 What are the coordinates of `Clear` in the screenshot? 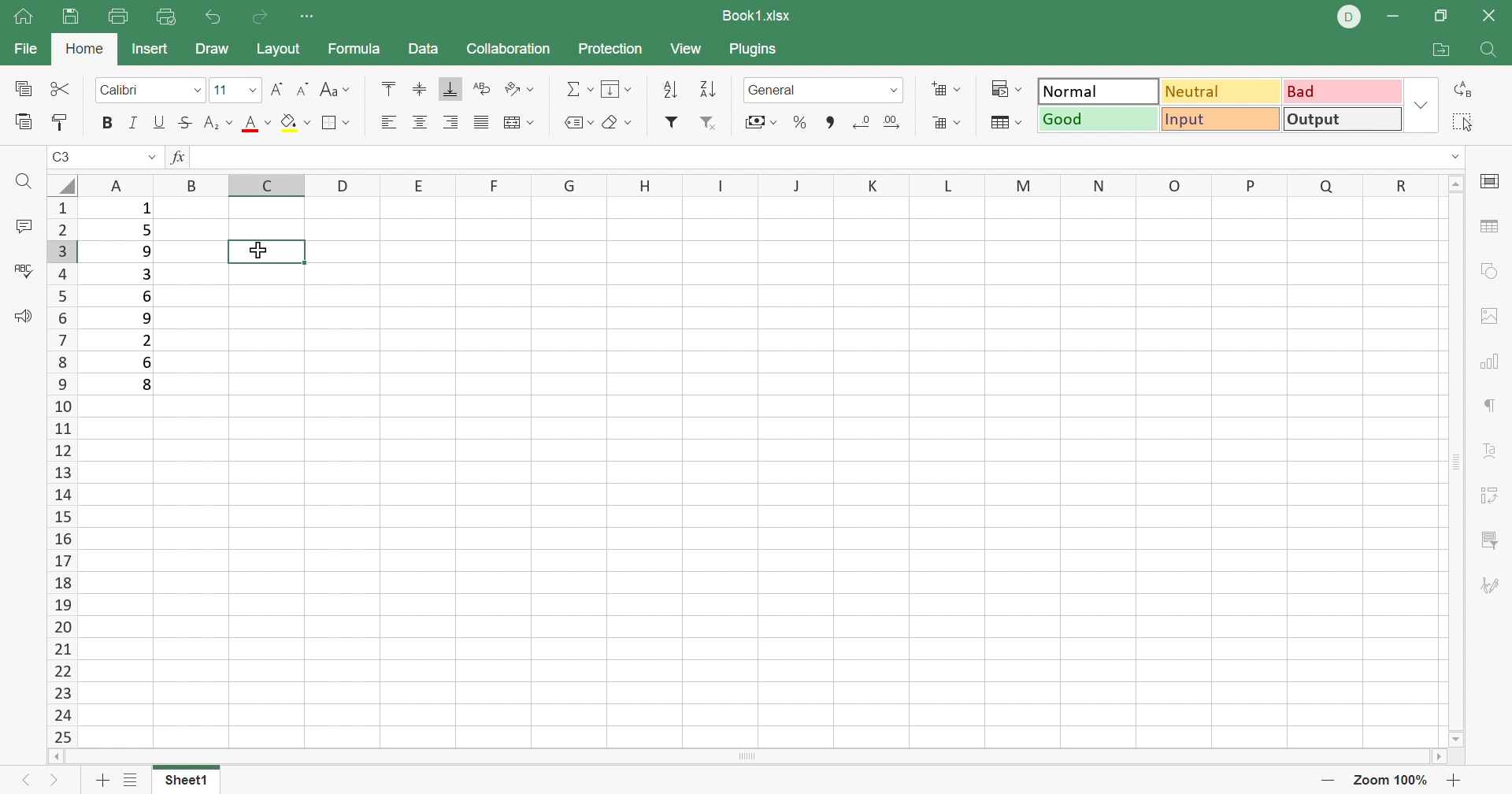 It's located at (617, 122).